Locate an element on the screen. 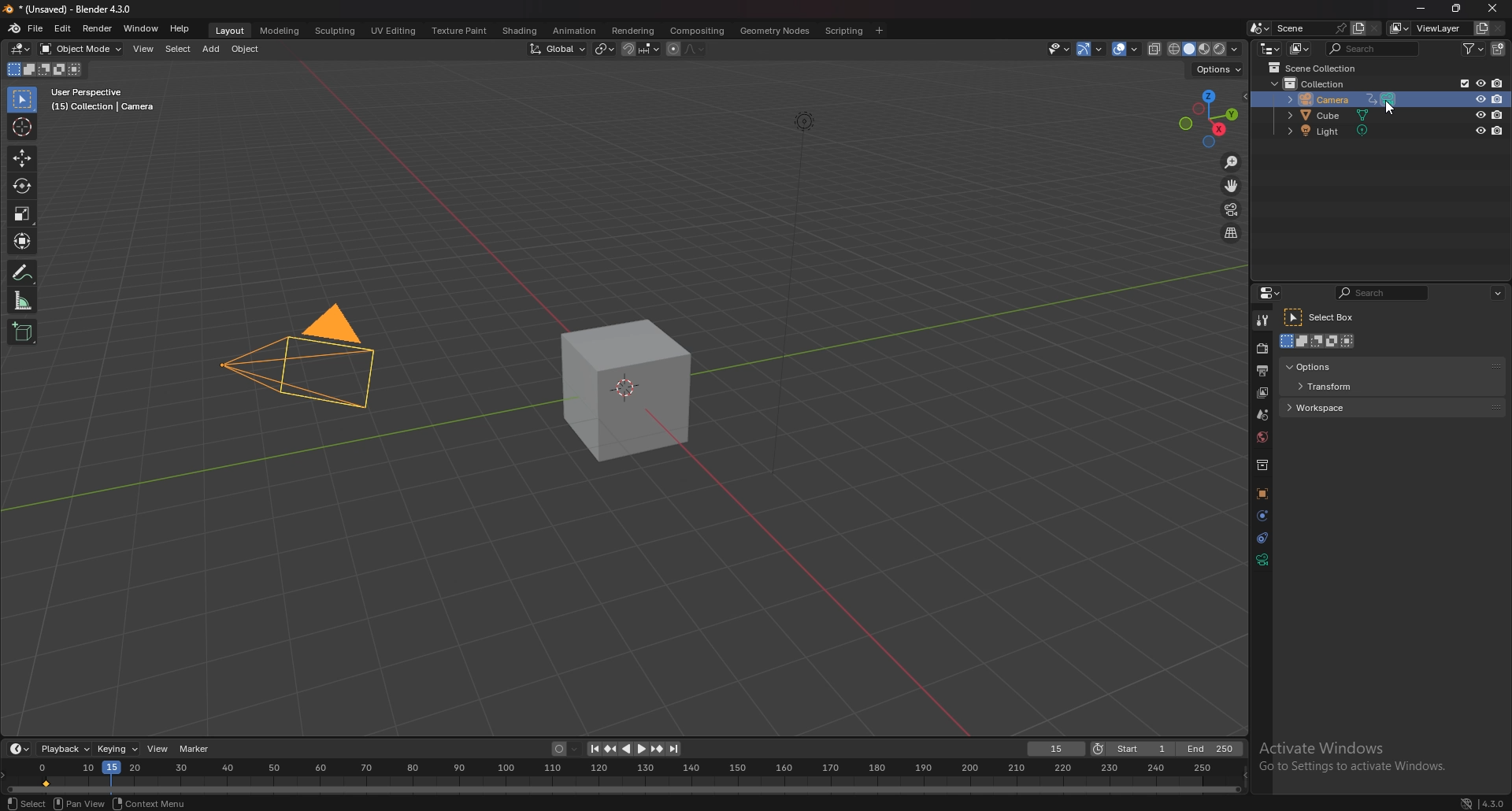 This screenshot has height=811, width=1512. hide in viewport is located at coordinates (1480, 114).